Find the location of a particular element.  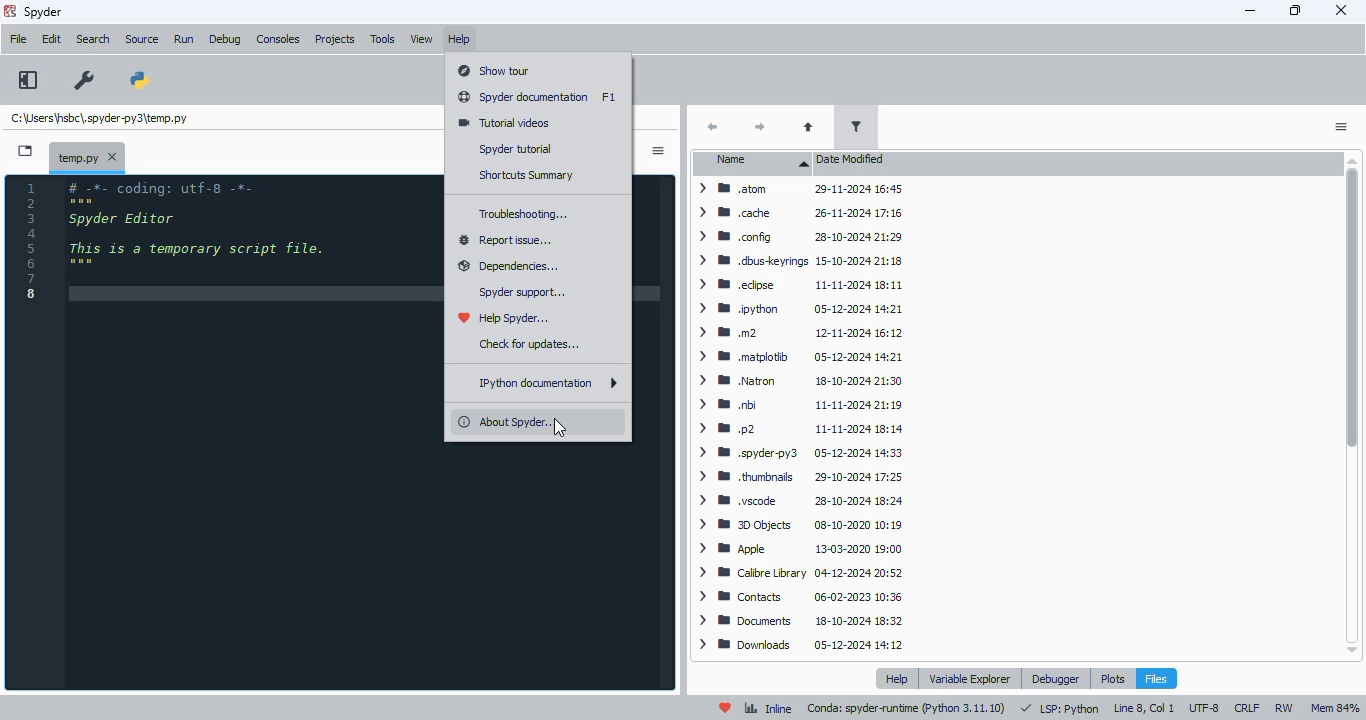

debugger is located at coordinates (1057, 679).